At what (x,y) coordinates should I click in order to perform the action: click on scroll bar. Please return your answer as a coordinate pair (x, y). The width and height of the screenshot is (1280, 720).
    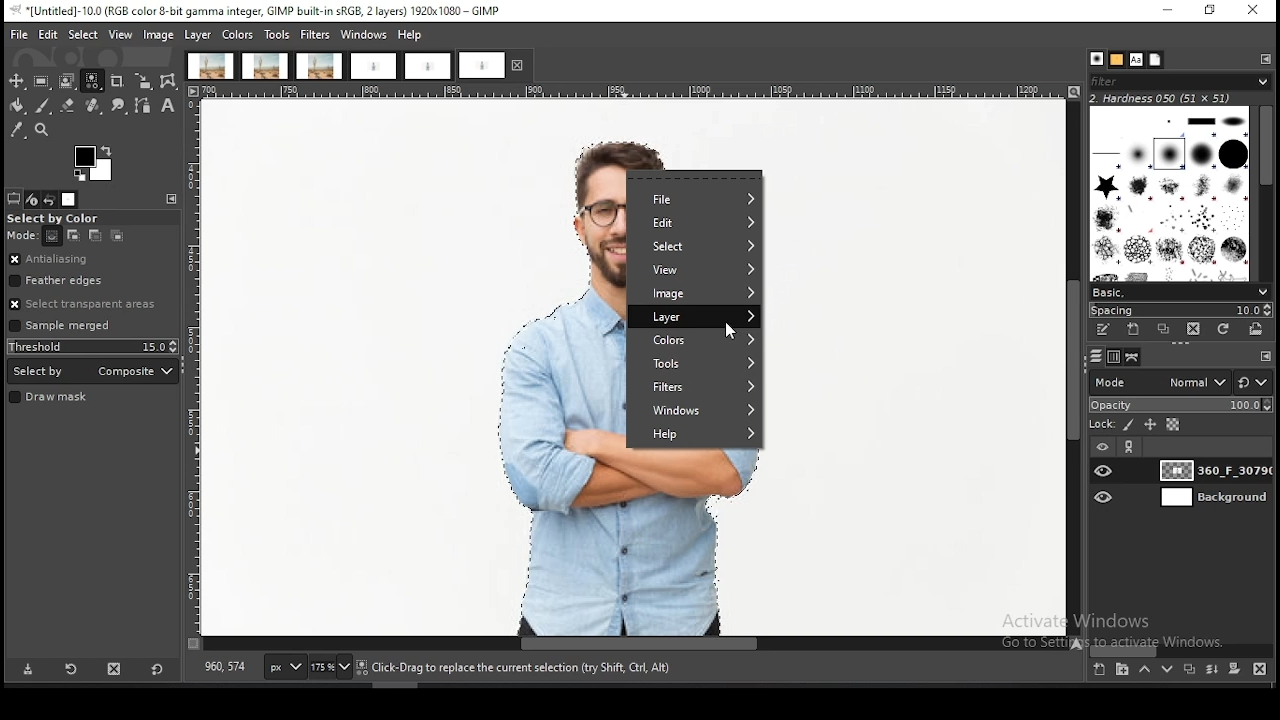
    Looking at the image, I should click on (1264, 194).